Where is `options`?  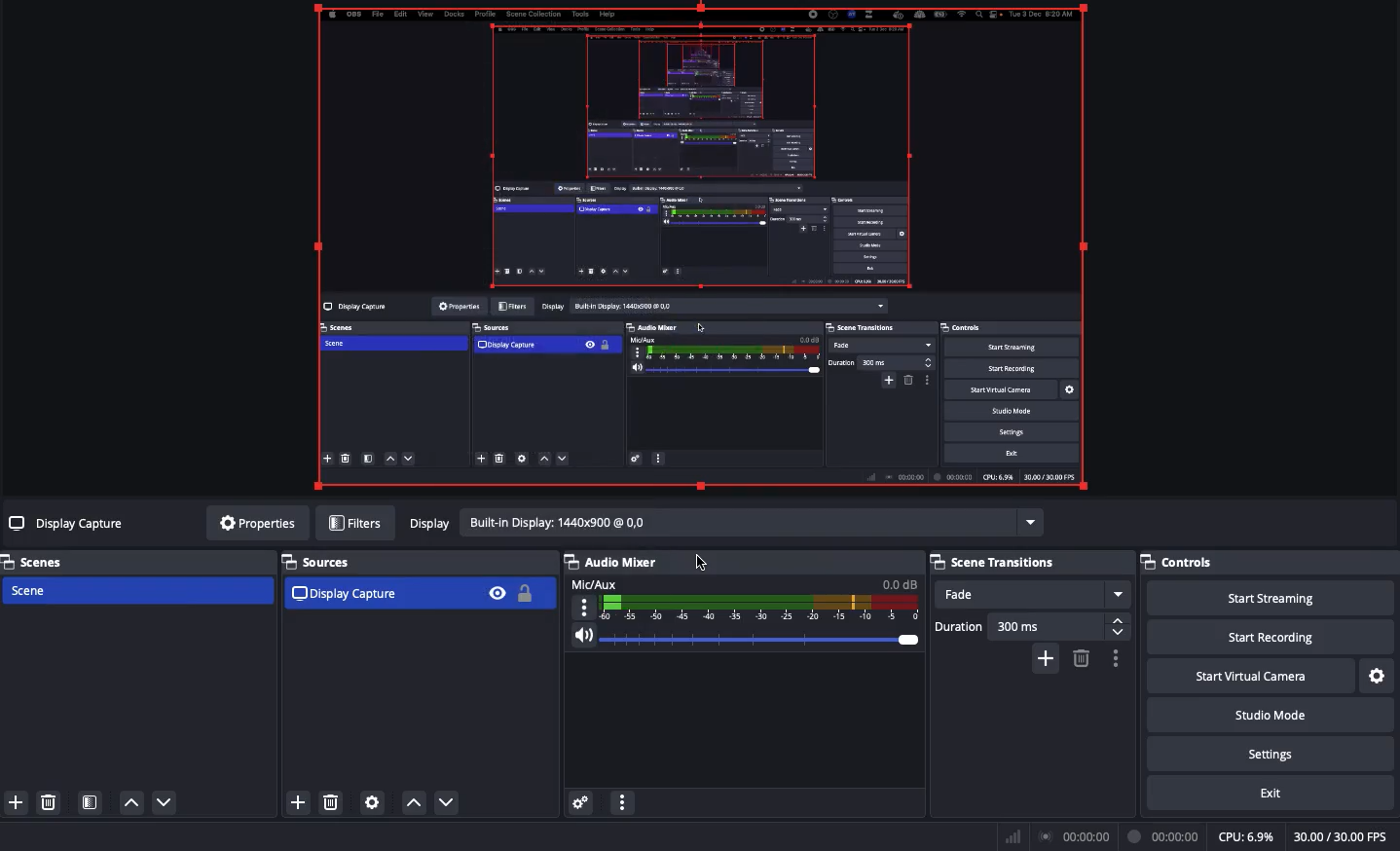 options is located at coordinates (1120, 659).